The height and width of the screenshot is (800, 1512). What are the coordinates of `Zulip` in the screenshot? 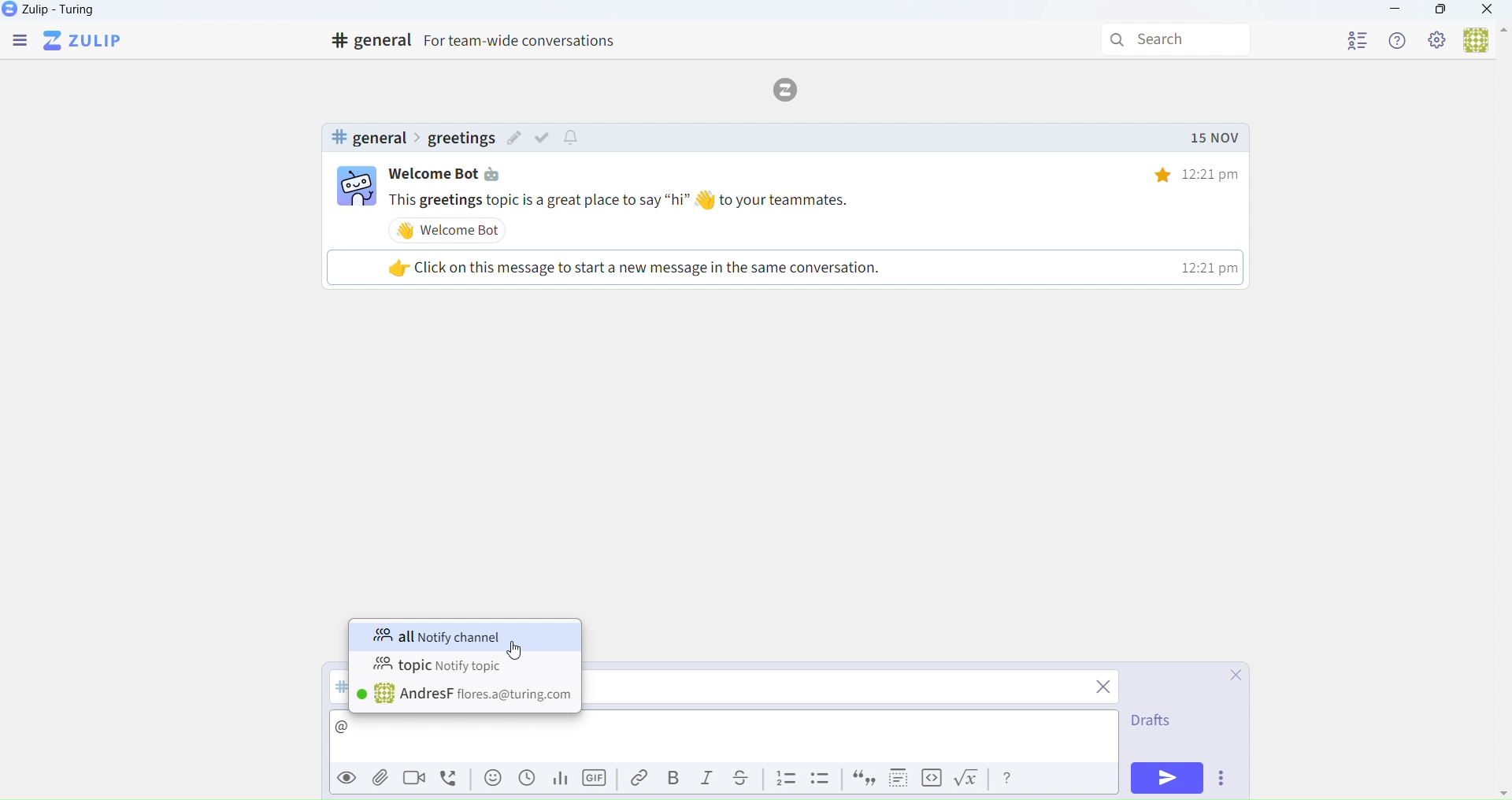 It's located at (67, 13).